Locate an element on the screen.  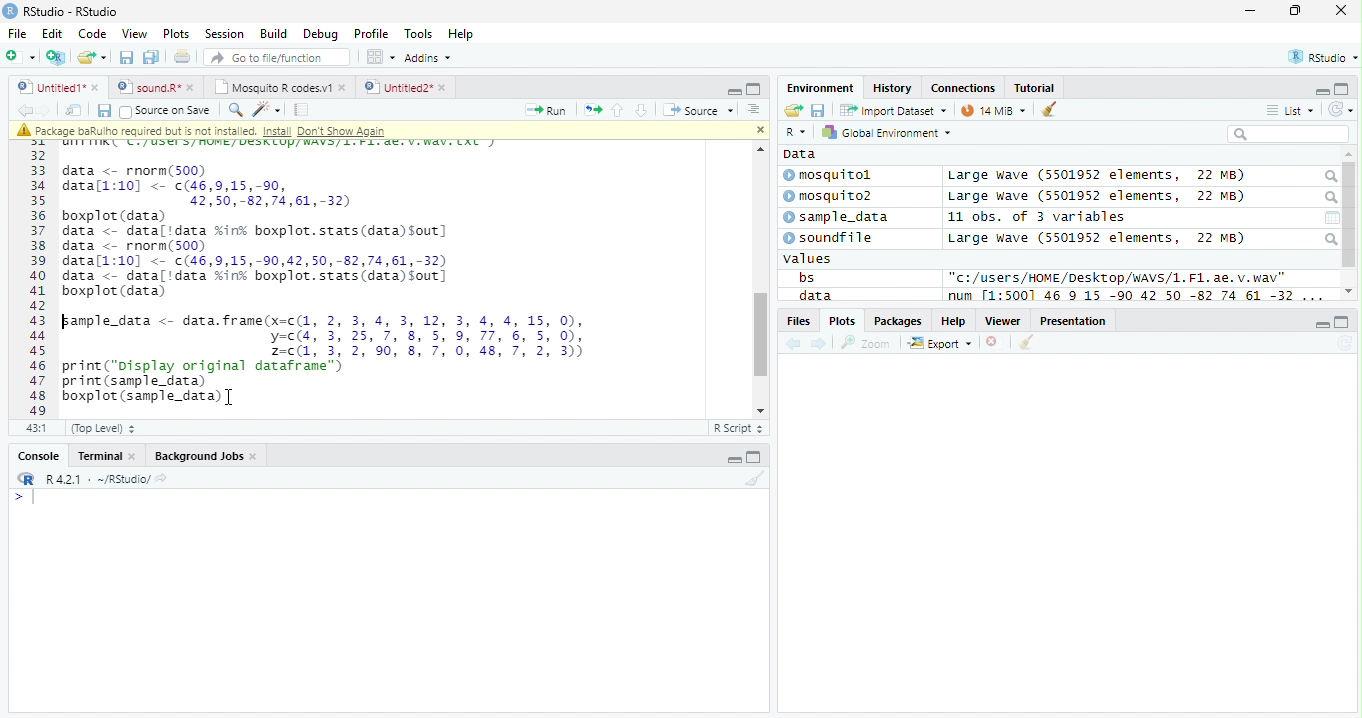
Go backward is located at coordinates (794, 345).